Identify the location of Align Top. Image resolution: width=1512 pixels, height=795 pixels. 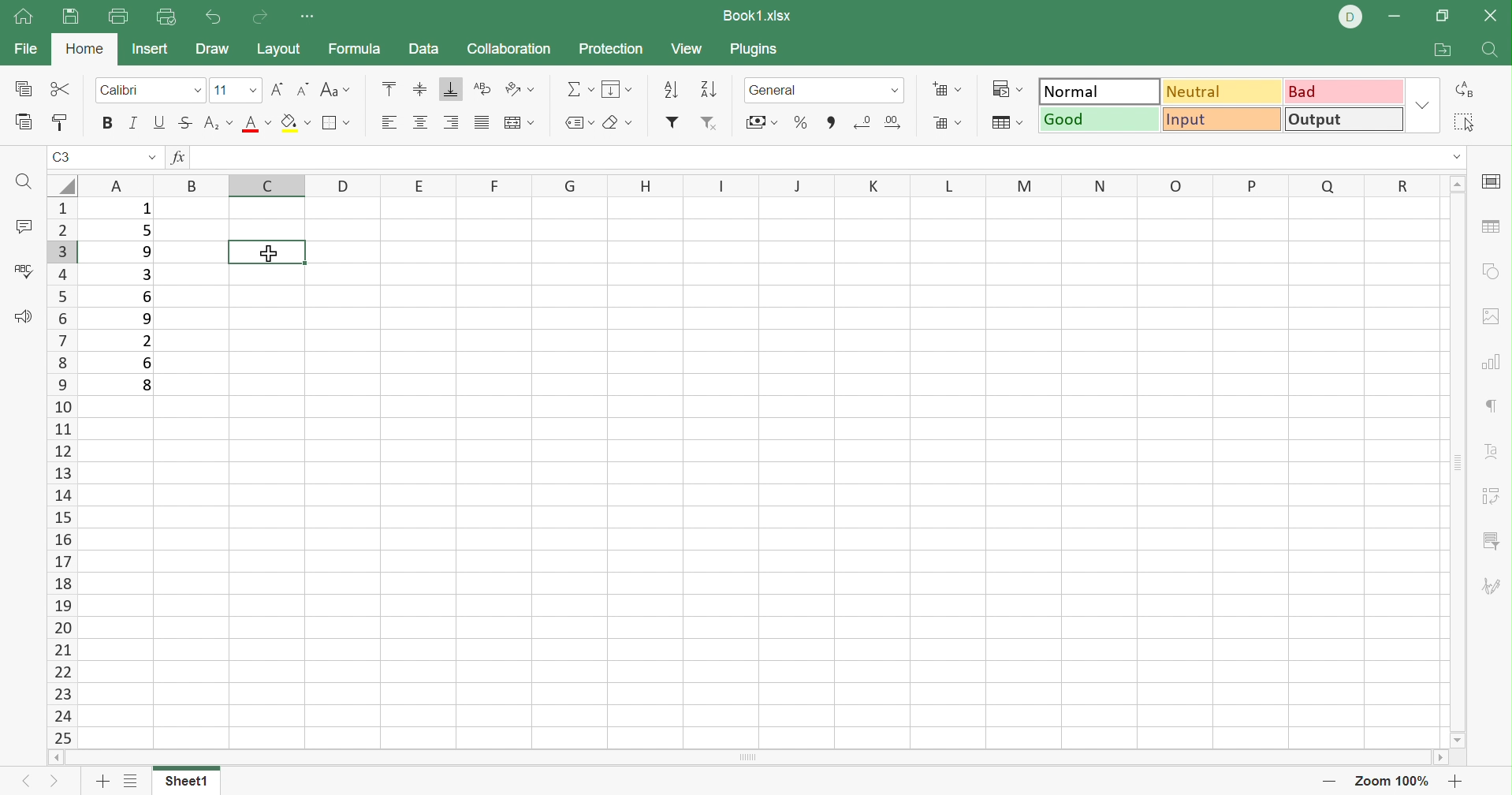
(391, 88).